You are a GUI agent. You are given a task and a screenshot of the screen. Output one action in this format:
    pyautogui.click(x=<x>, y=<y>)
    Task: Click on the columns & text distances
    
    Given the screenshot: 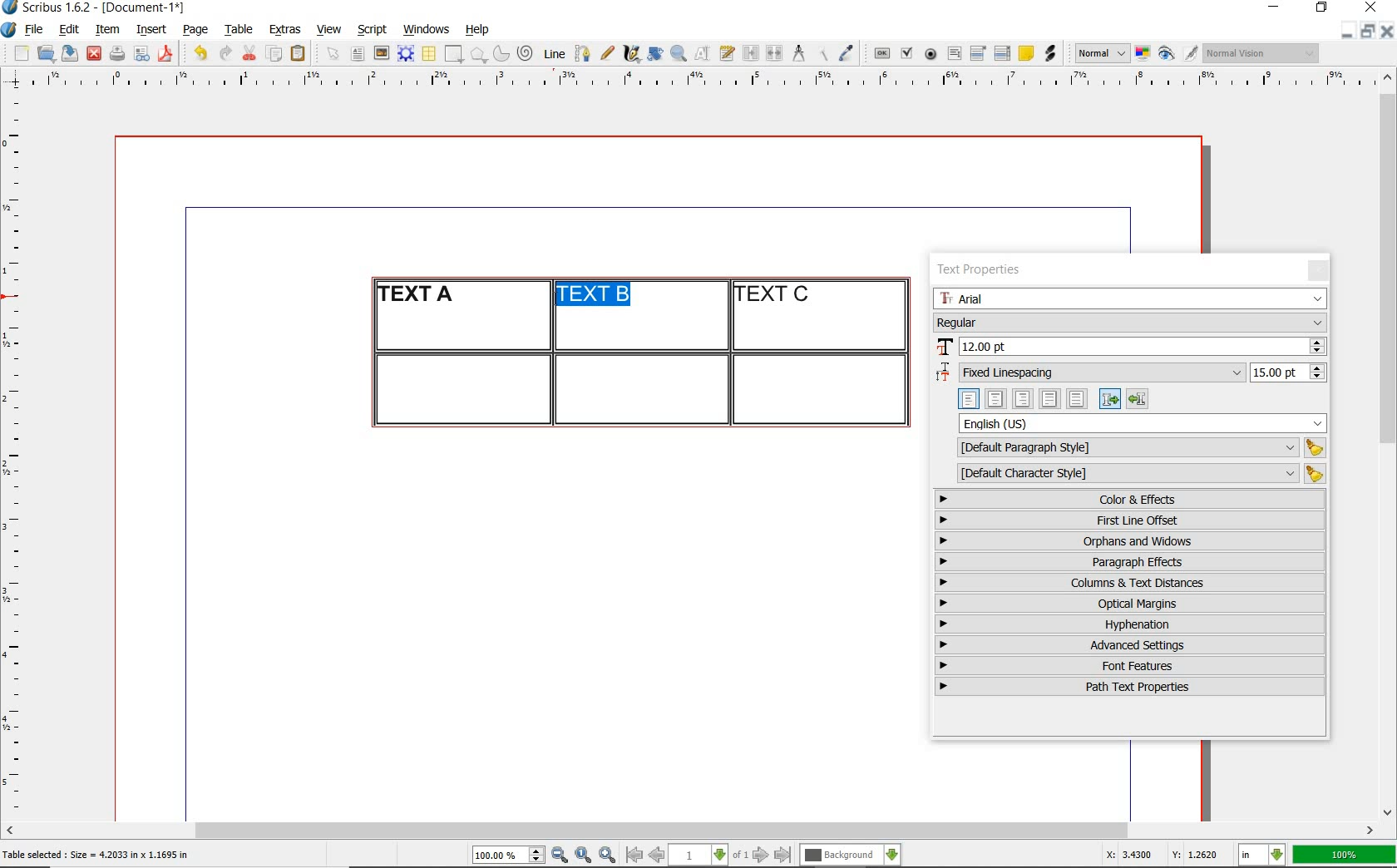 What is the action you would take?
    pyautogui.click(x=1133, y=583)
    